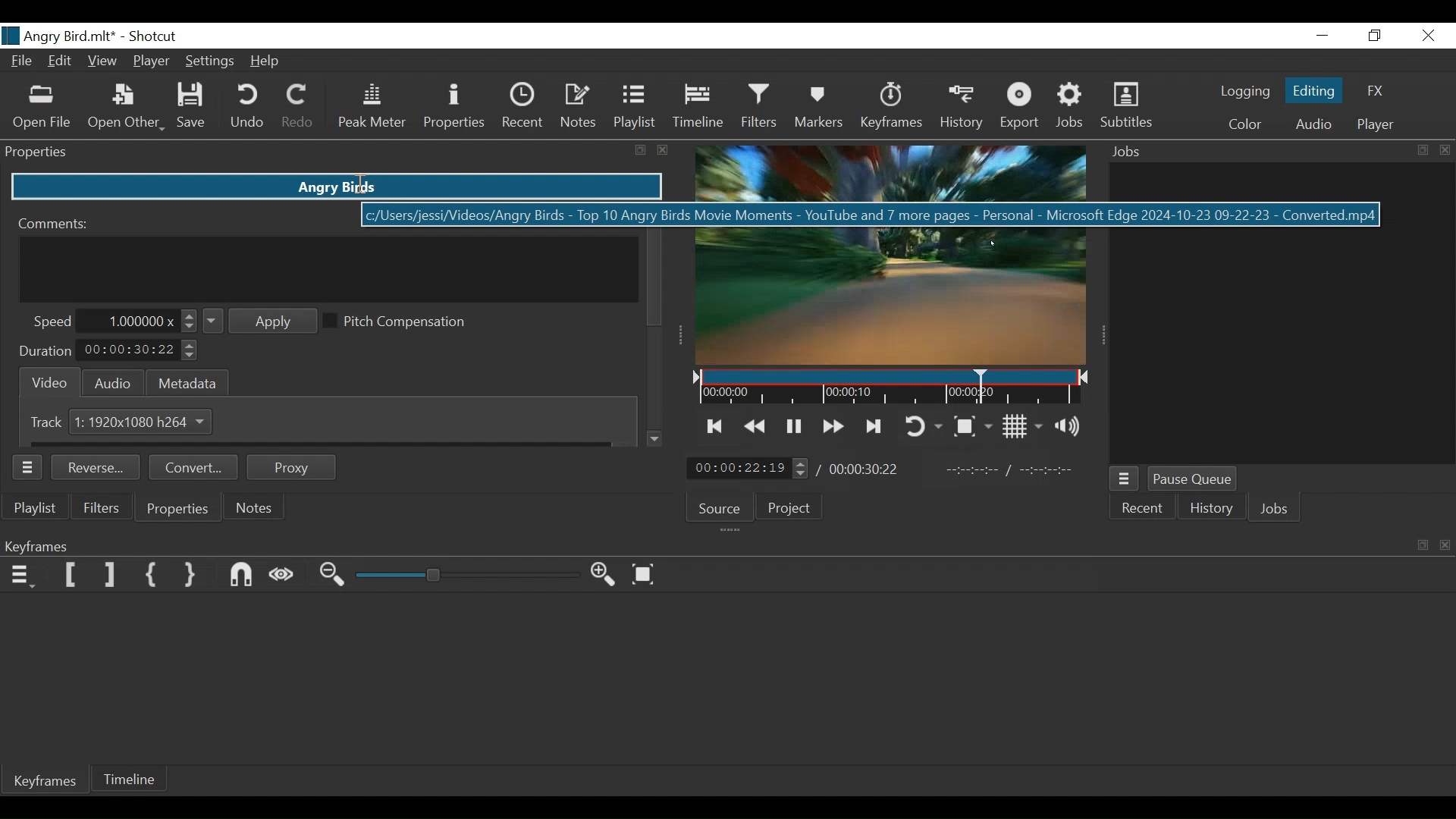 This screenshot has height=819, width=1456. Describe the element at coordinates (49, 784) in the screenshot. I see `Keyframe` at that location.